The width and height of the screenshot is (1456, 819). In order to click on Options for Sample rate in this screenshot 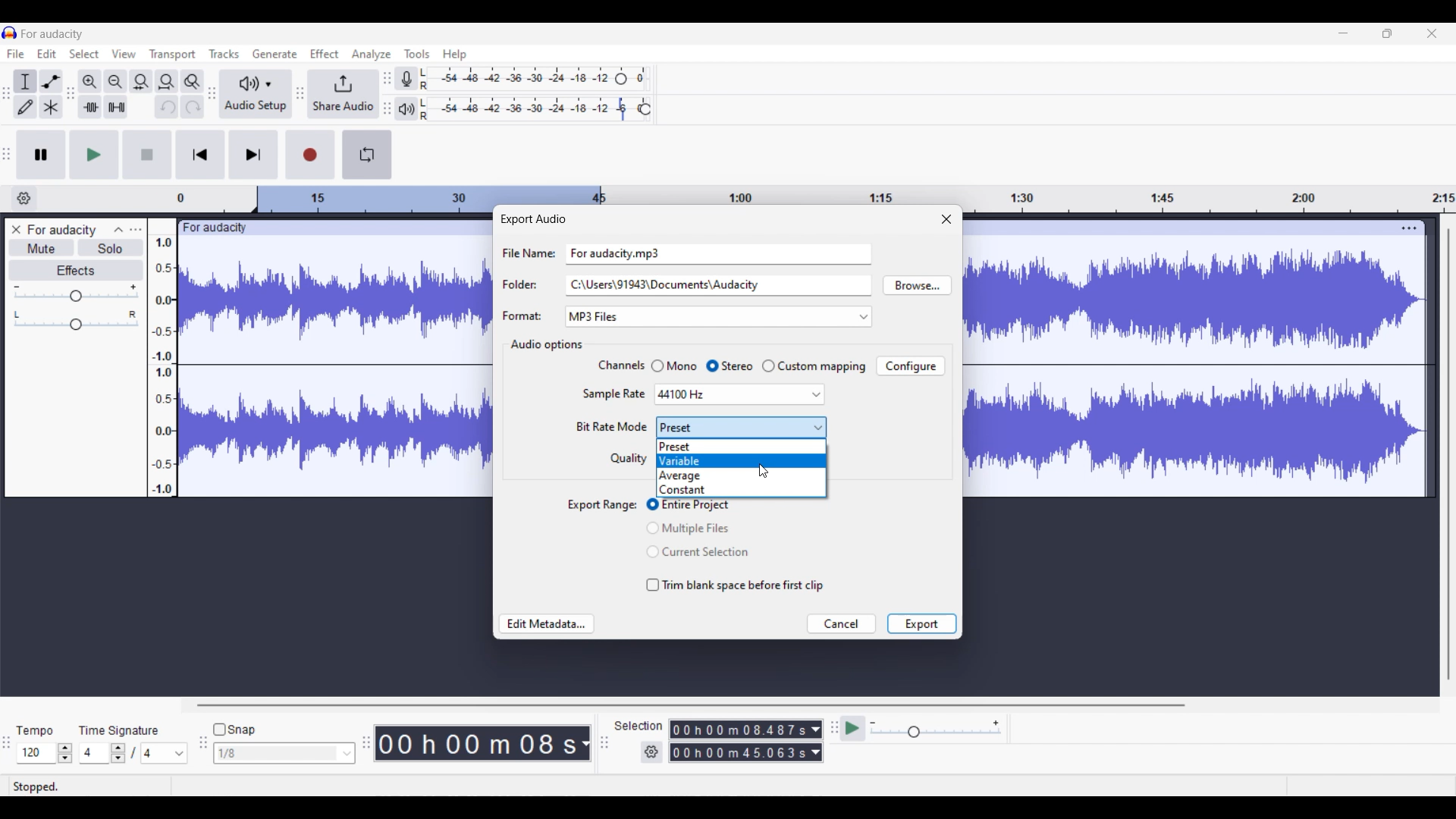, I will do `click(739, 395)`.